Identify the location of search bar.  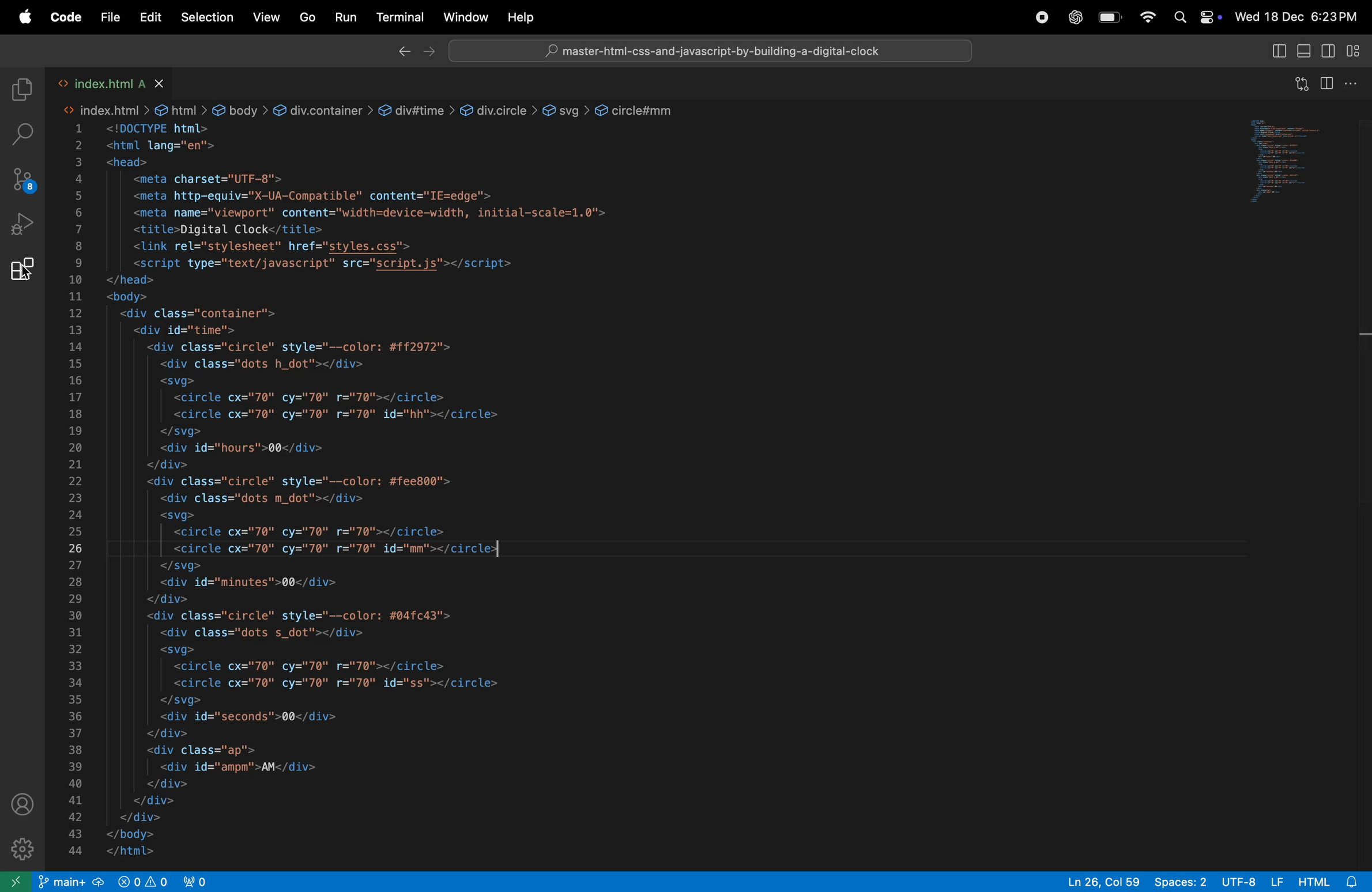
(707, 50).